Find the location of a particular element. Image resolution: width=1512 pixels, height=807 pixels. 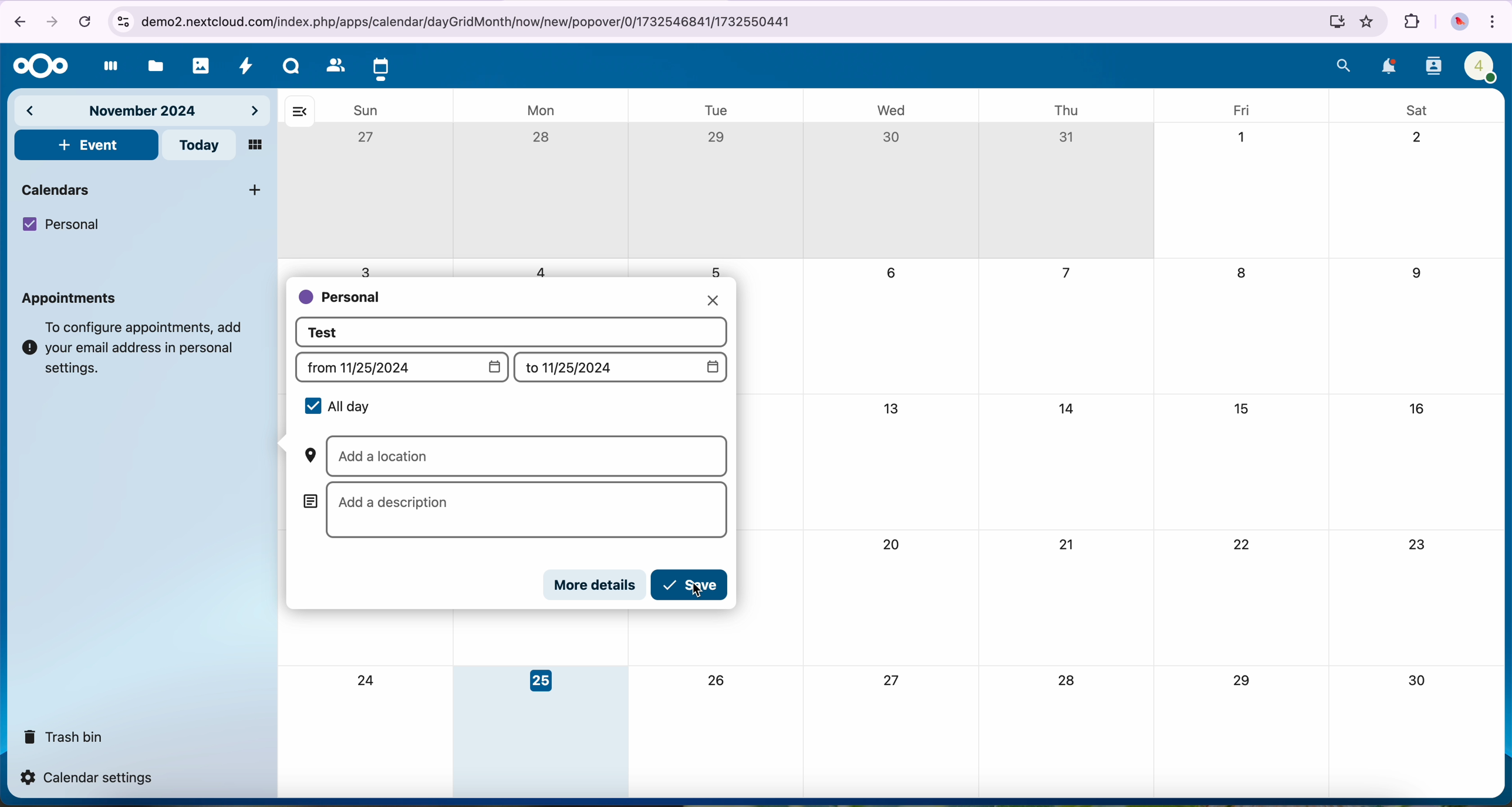

3 is located at coordinates (367, 268).